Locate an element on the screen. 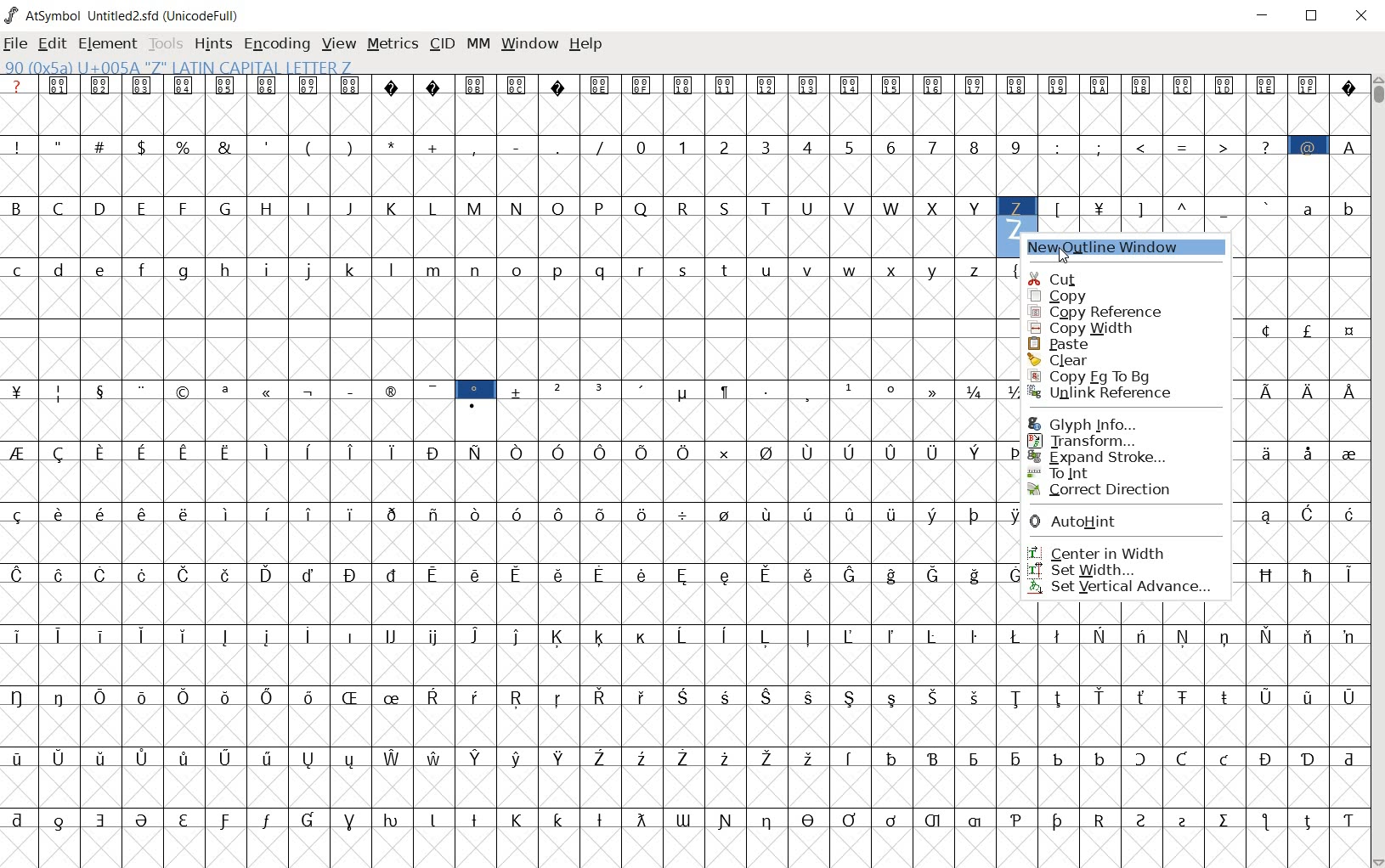 Image resolution: width=1385 pixels, height=868 pixels. Expand Stroke is located at coordinates (1106, 458).